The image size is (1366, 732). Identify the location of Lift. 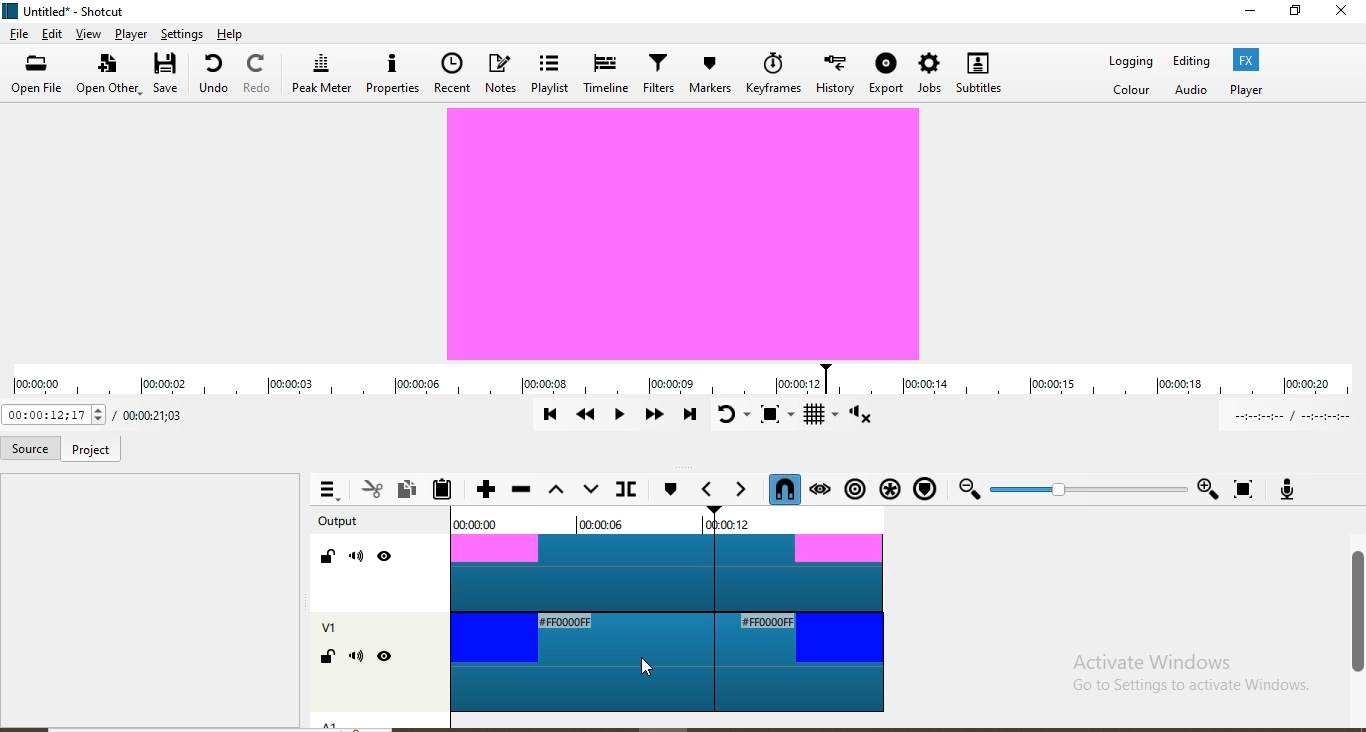
(559, 489).